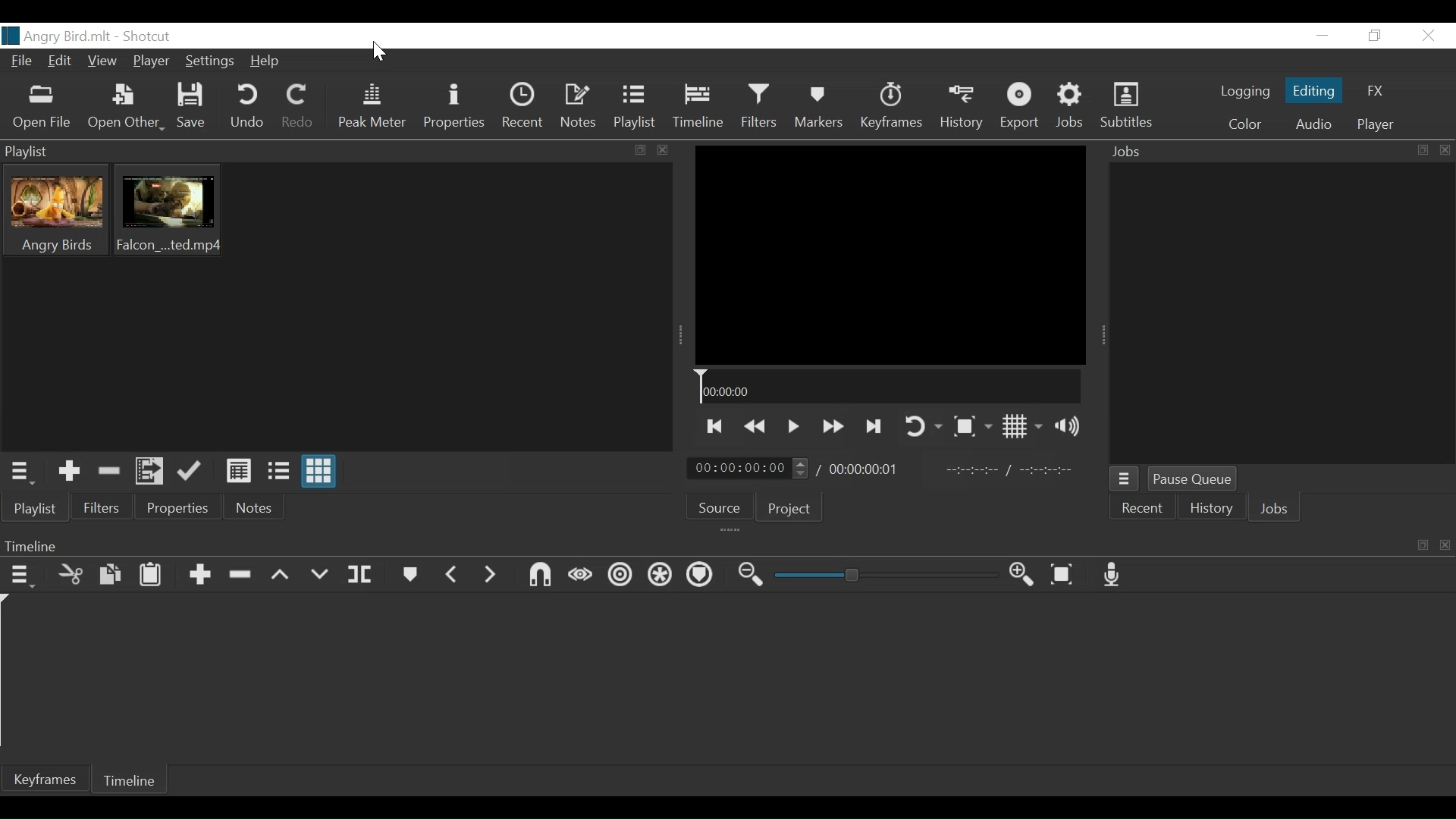 The width and height of the screenshot is (1456, 819). What do you see at coordinates (1072, 427) in the screenshot?
I see `Show volume control` at bounding box center [1072, 427].